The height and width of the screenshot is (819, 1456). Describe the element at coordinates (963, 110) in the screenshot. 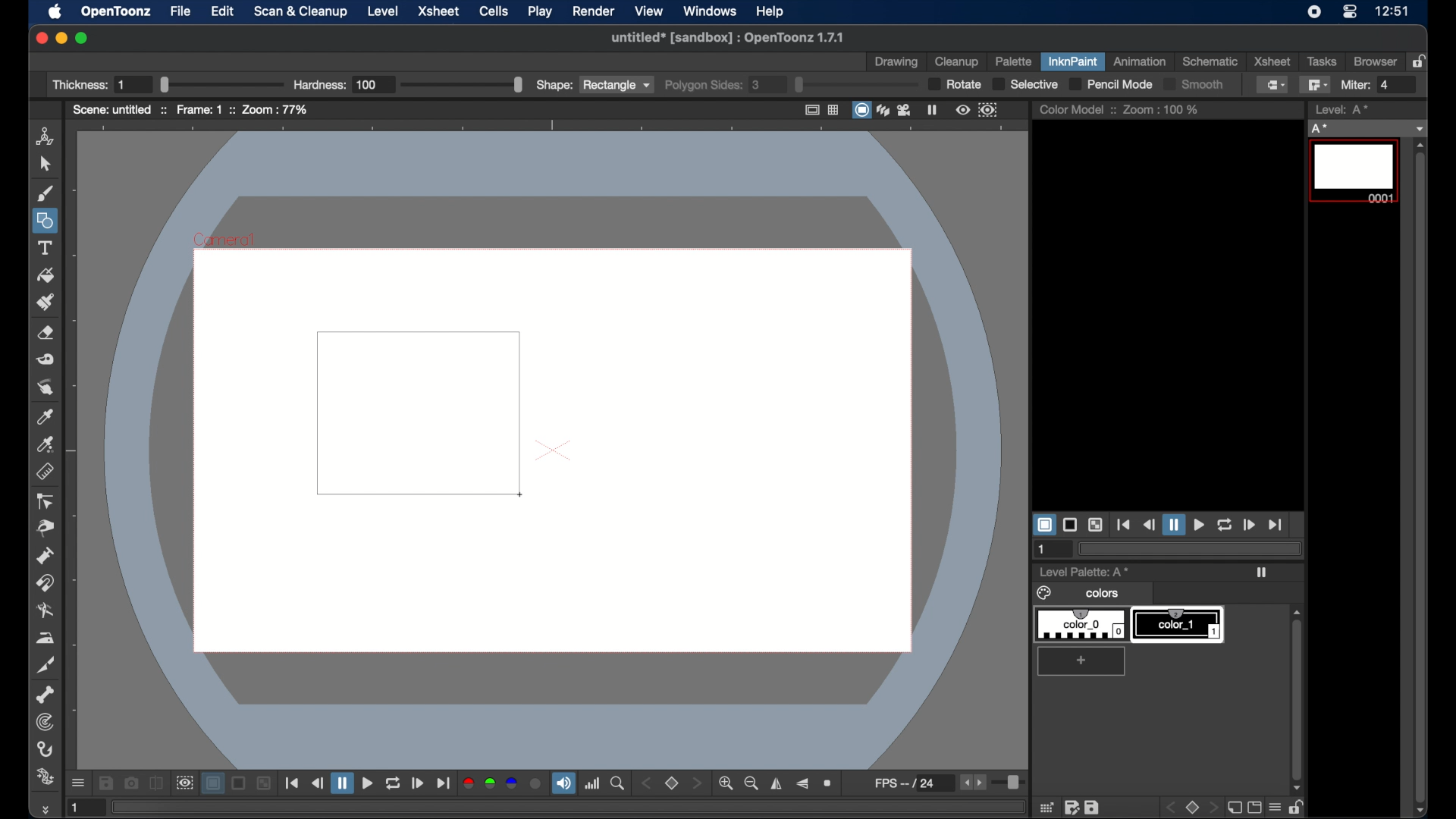

I see `preview` at that location.